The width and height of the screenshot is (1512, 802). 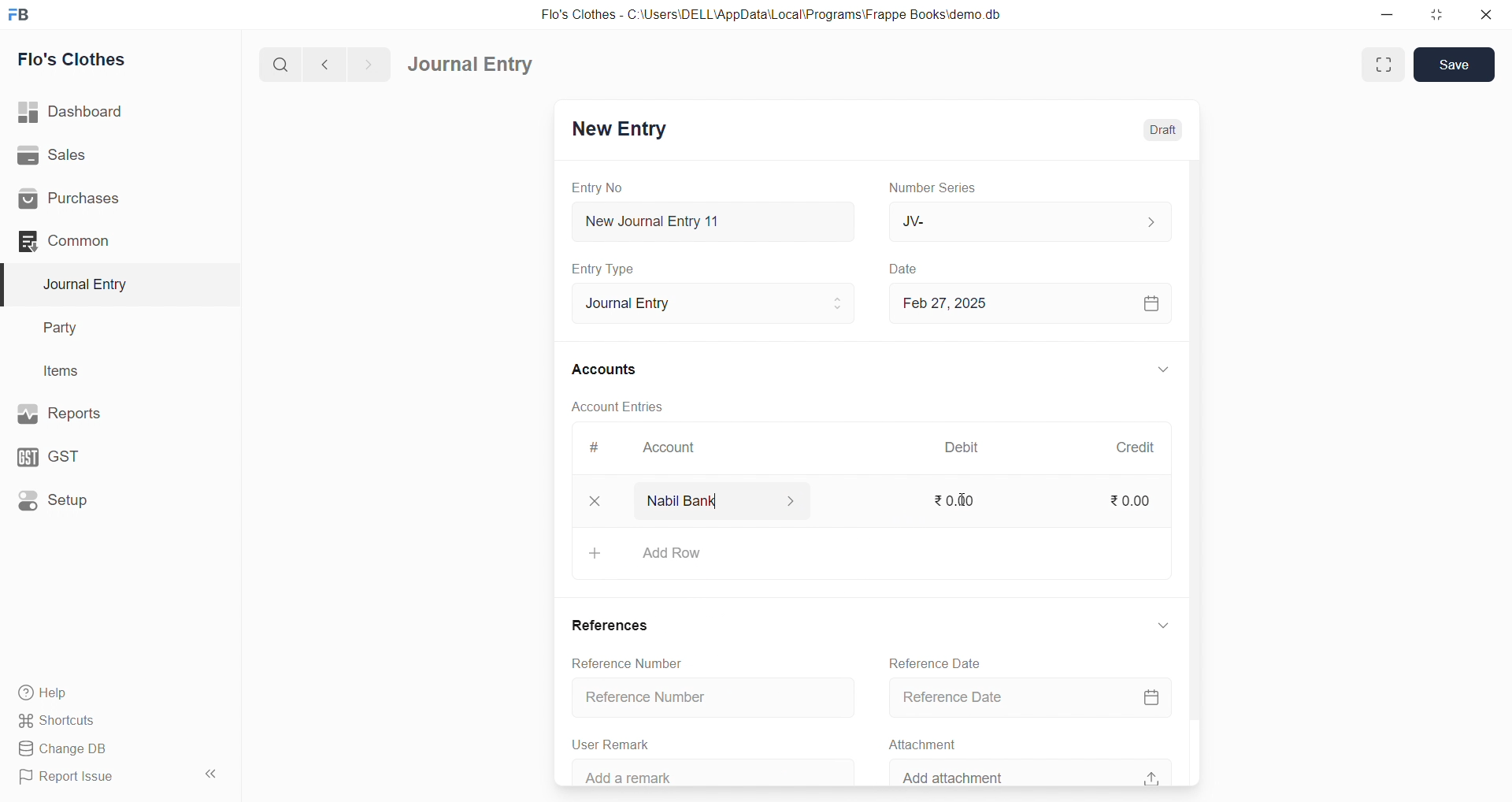 What do you see at coordinates (67, 370) in the screenshot?
I see `Items` at bounding box center [67, 370].